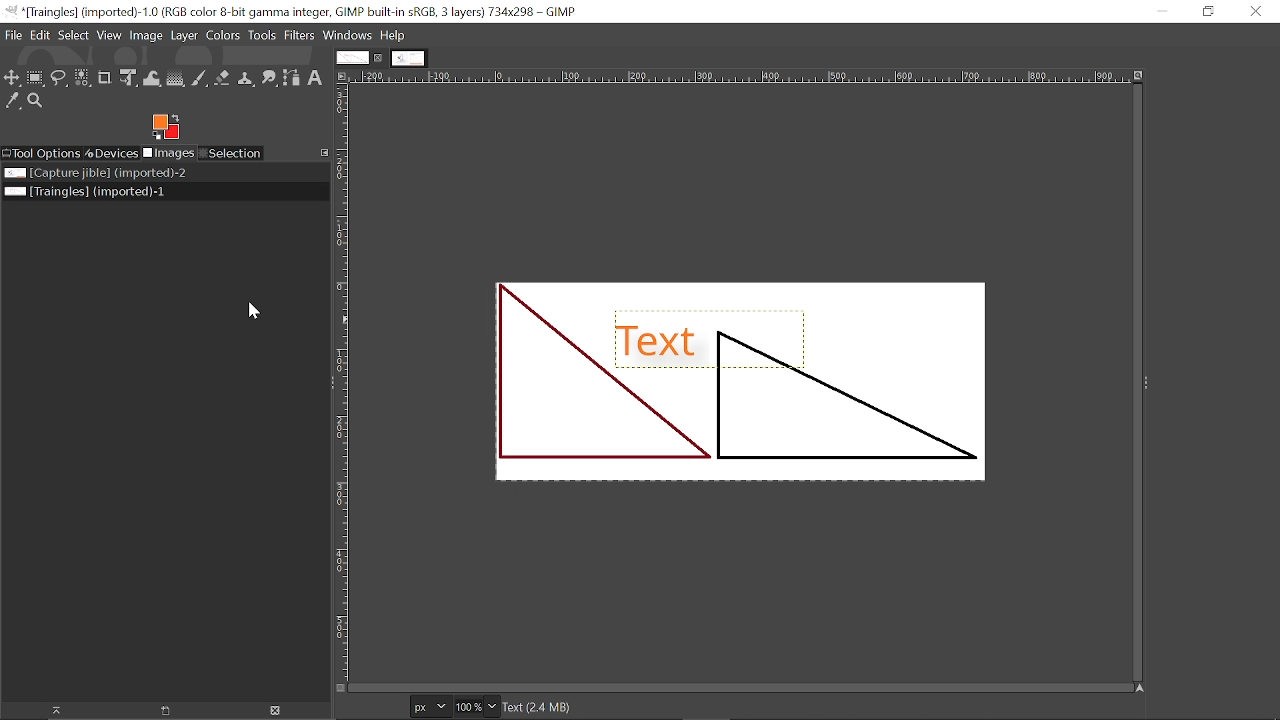 This screenshot has height=720, width=1280. What do you see at coordinates (93, 174) in the screenshot?
I see `Image file titled "Capture jible"` at bounding box center [93, 174].